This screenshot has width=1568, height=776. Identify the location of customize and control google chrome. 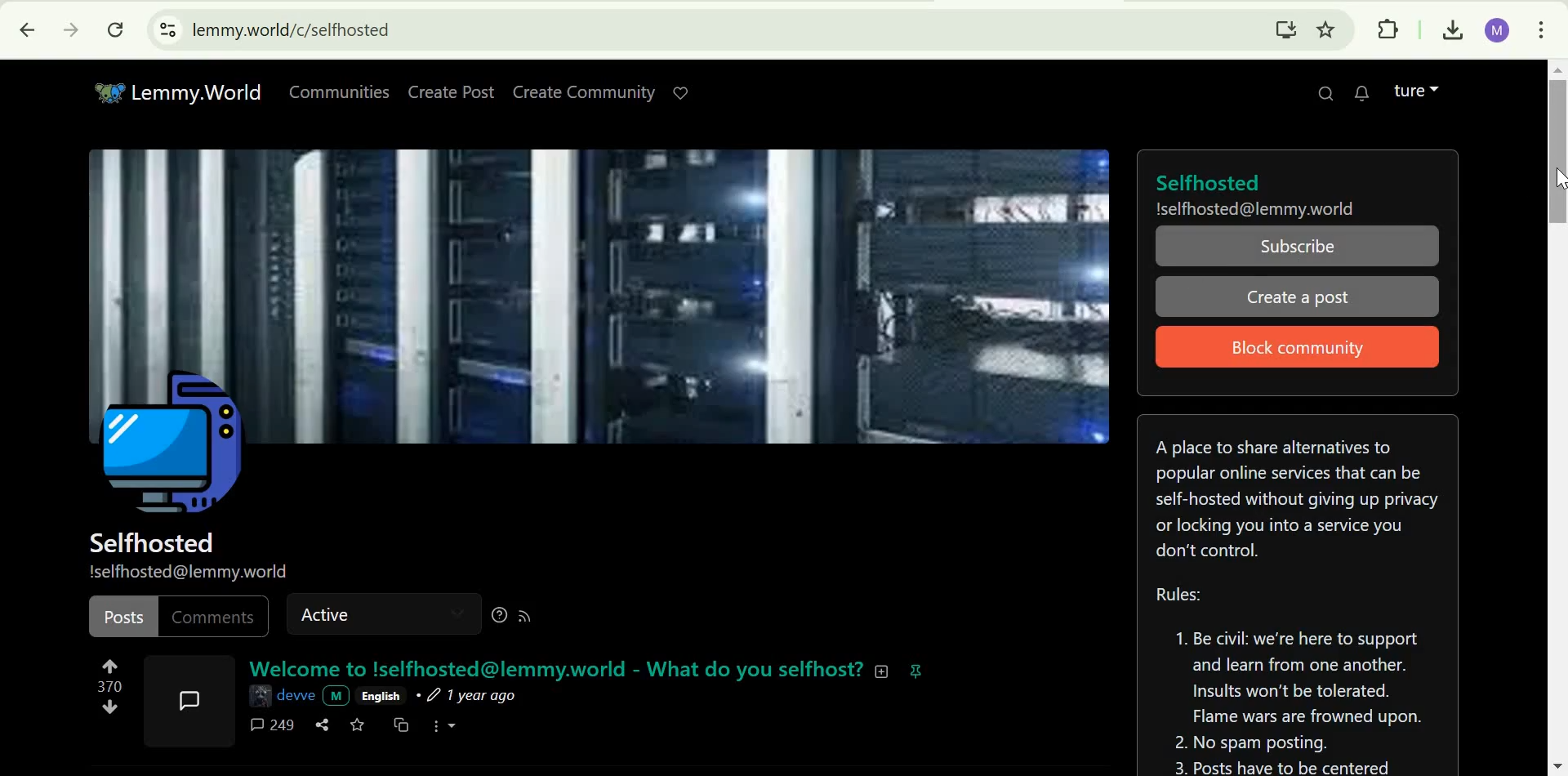
(1543, 29).